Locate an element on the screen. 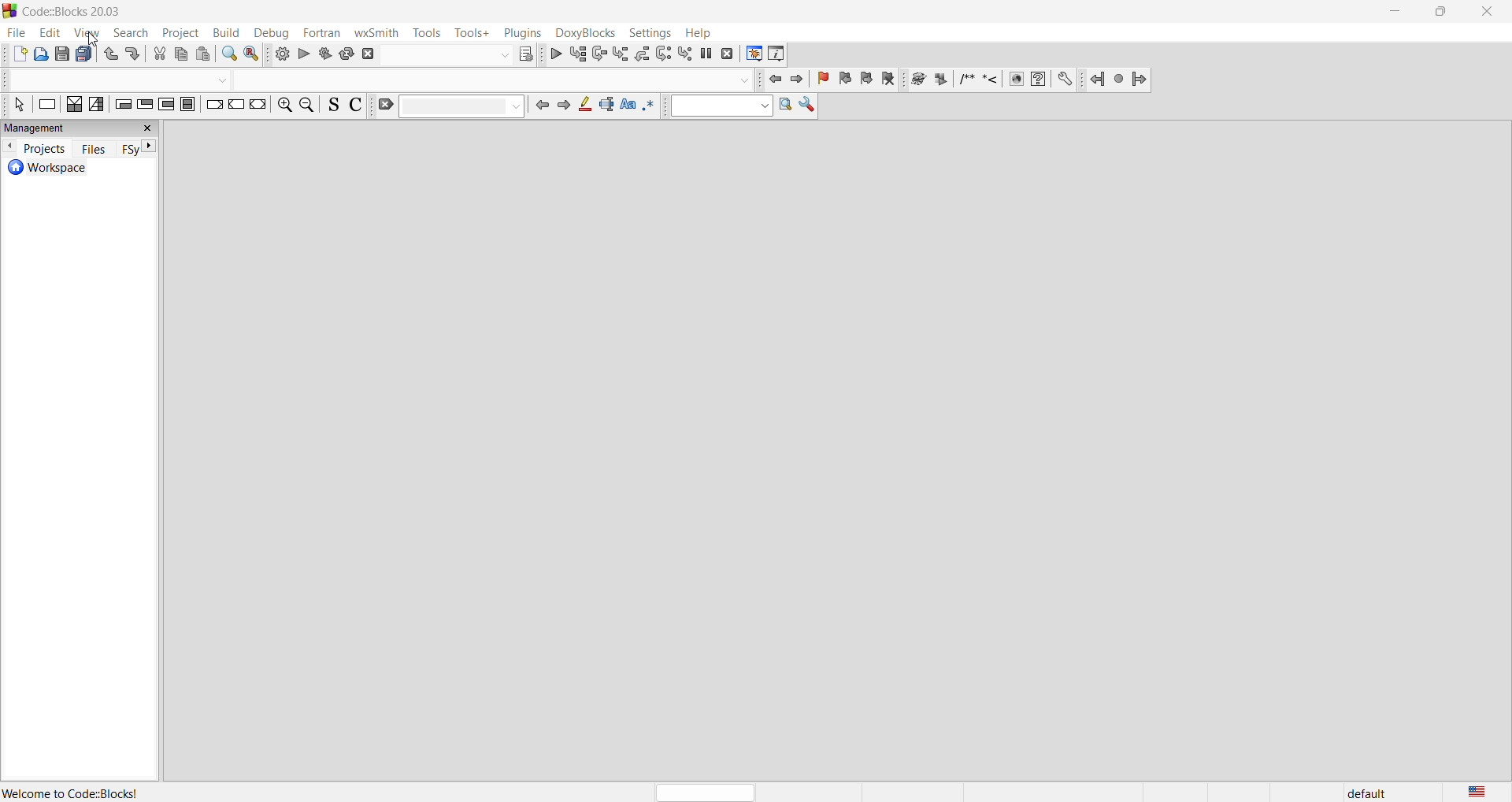  continue instruction is located at coordinates (237, 105).